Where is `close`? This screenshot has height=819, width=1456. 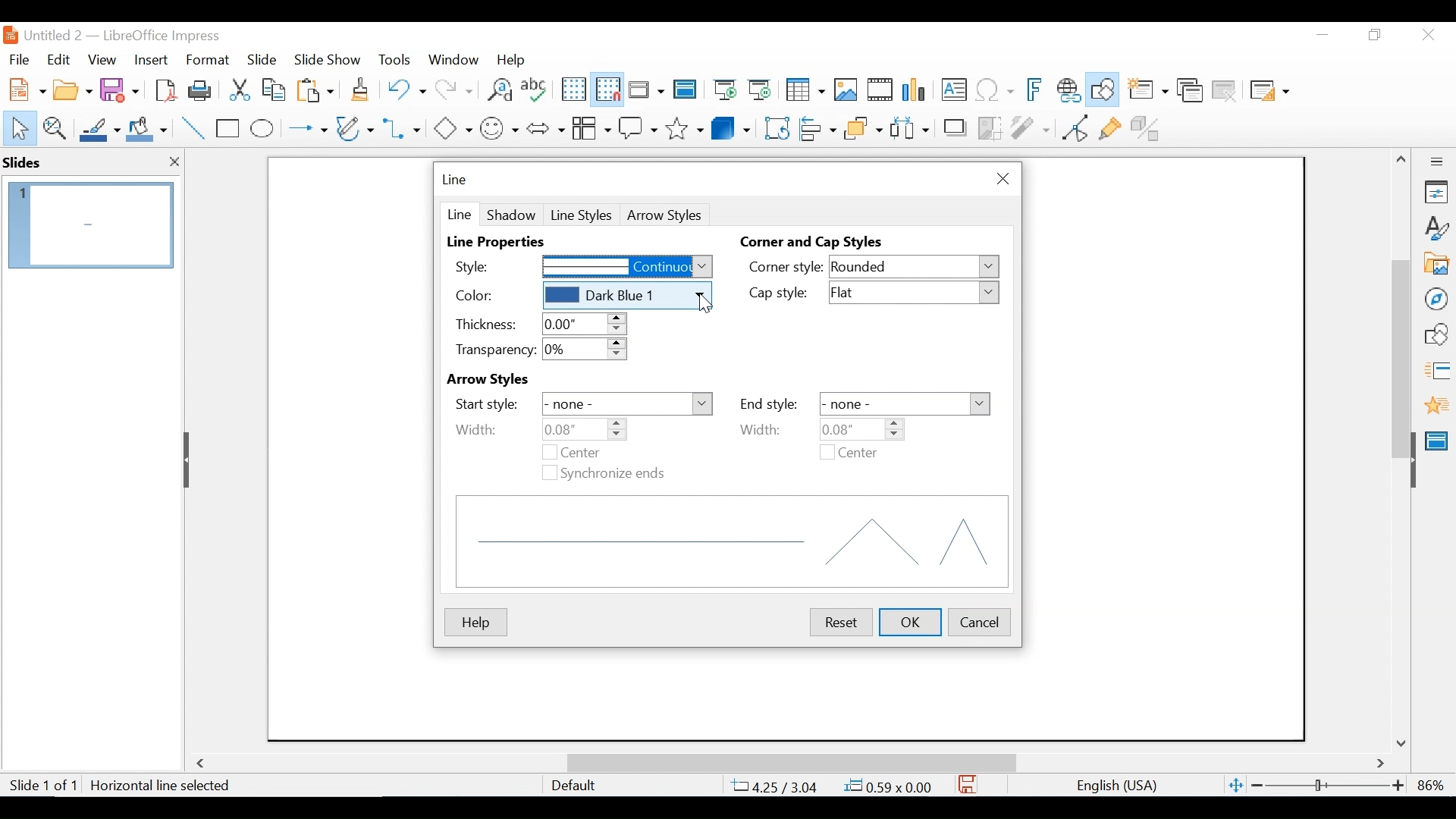 close is located at coordinates (174, 165).